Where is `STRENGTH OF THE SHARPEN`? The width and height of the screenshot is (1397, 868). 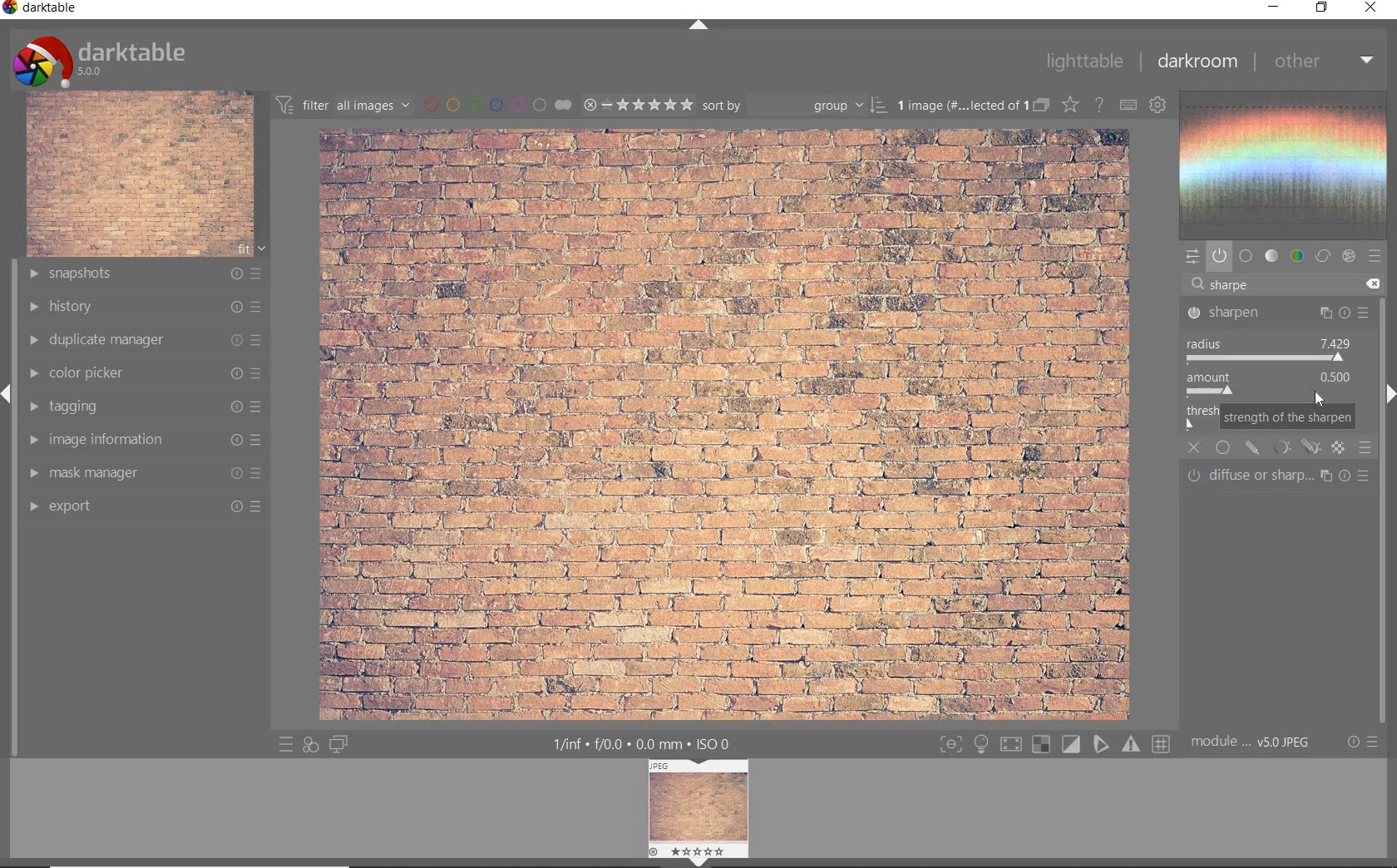 STRENGTH OF THE SHARPEN is located at coordinates (1286, 417).